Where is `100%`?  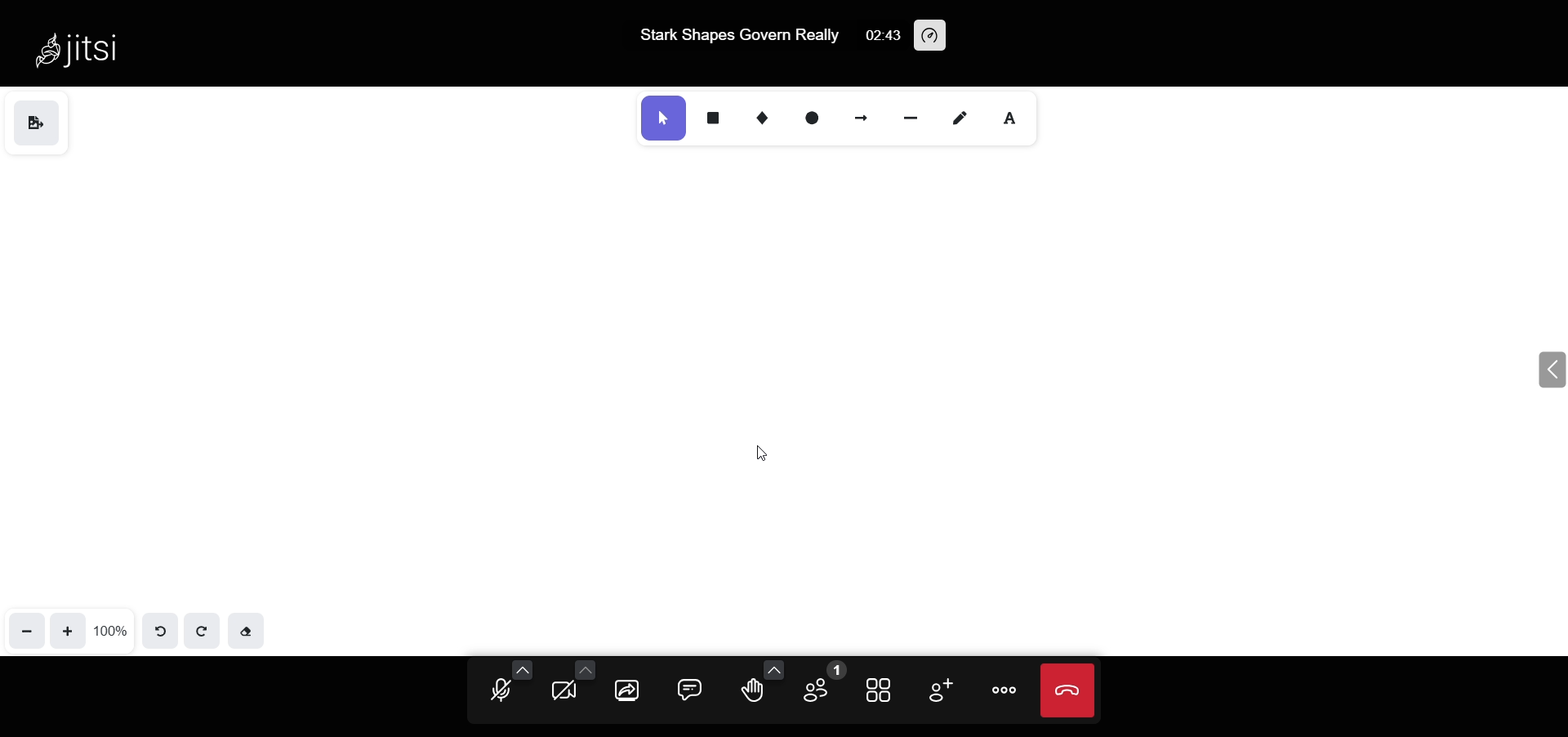 100% is located at coordinates (111, 630).